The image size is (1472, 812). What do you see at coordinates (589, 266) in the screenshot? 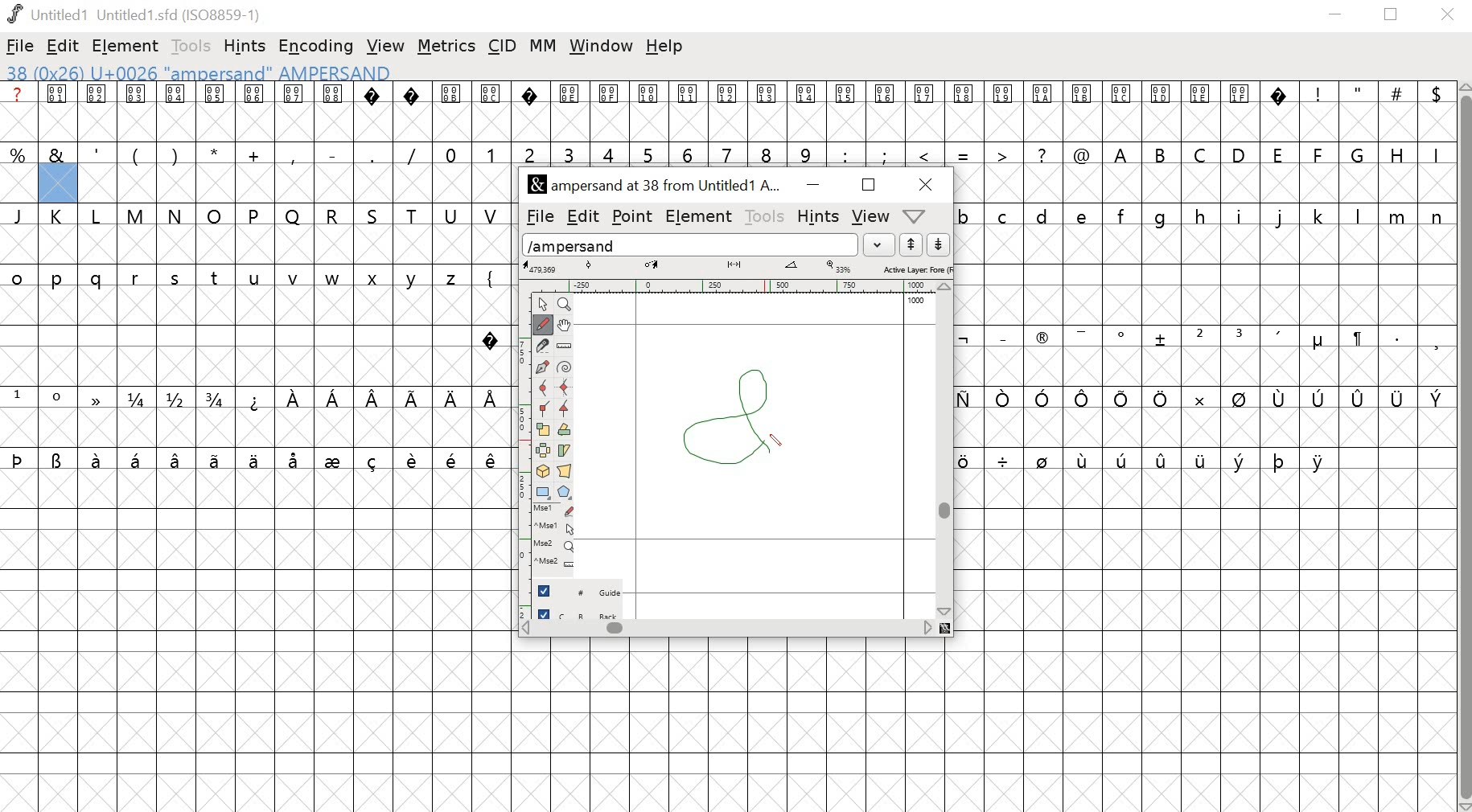
I see `curve point coordinate` at bounding box center [589, 266].